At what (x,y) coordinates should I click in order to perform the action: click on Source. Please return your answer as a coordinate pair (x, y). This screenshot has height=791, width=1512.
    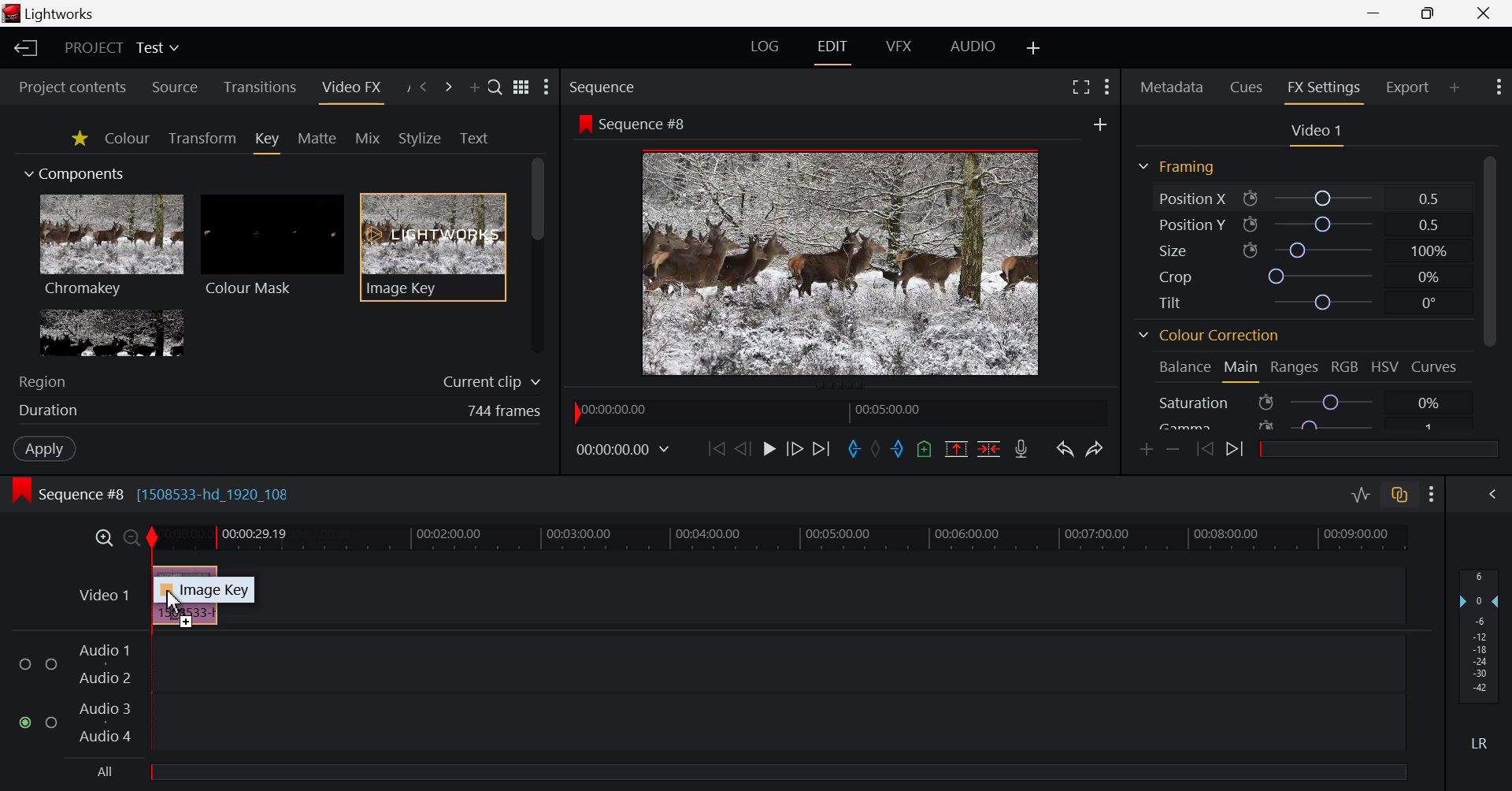
    Looking at the image, I should click on (174, 84).